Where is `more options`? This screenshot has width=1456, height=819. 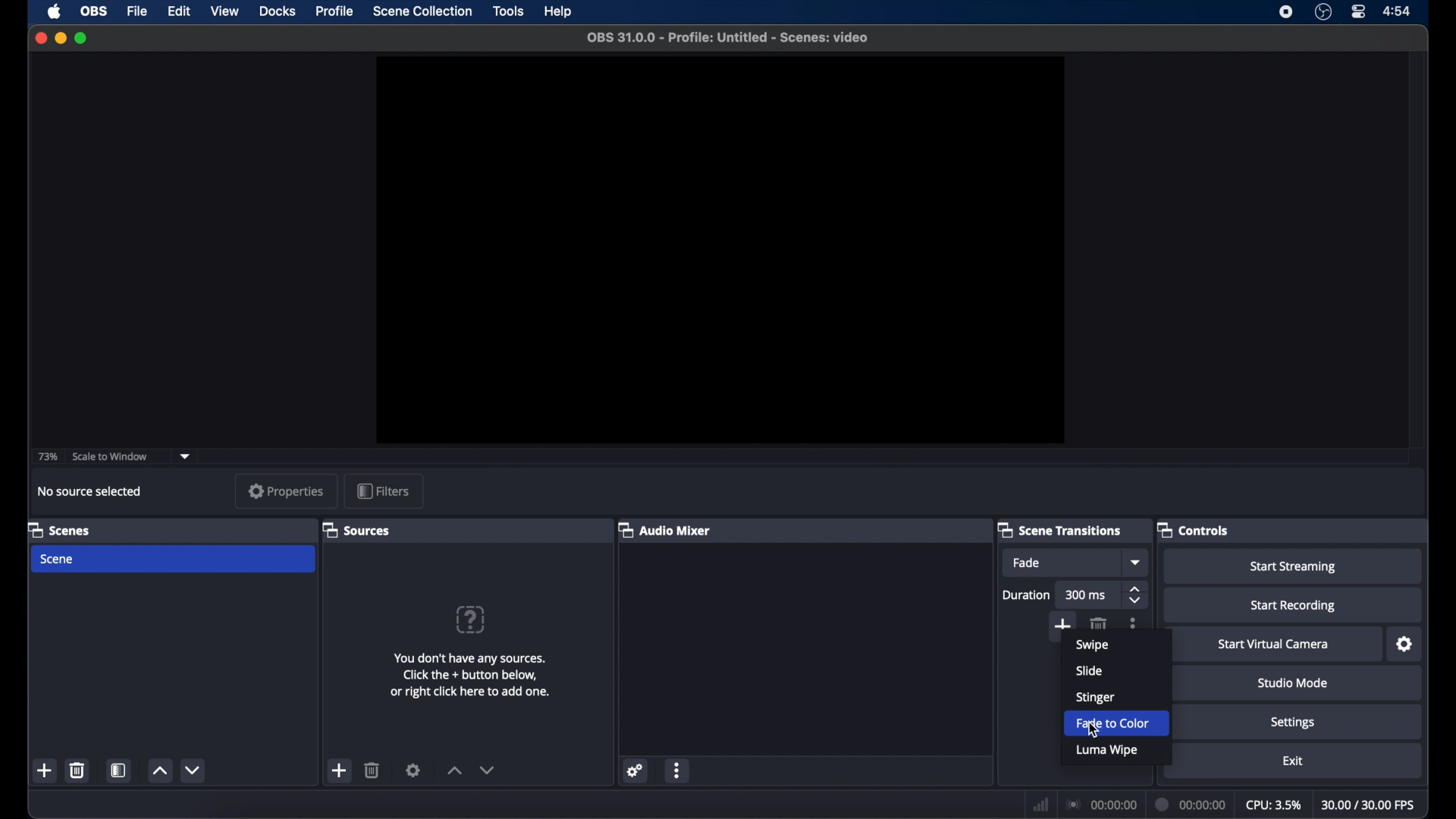 more options is located at coordinates (1134, 622).